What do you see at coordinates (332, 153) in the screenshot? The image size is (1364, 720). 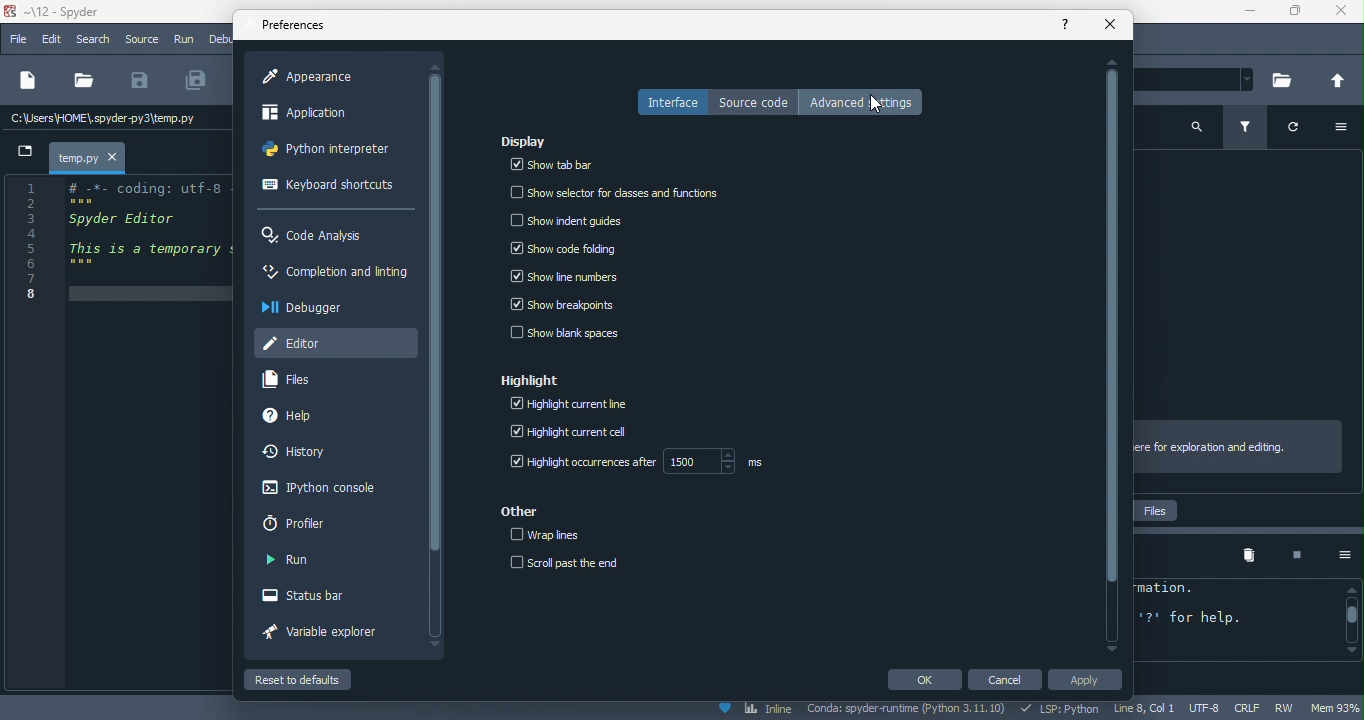 I see `python interpreter` at bounding box center [332, 153].